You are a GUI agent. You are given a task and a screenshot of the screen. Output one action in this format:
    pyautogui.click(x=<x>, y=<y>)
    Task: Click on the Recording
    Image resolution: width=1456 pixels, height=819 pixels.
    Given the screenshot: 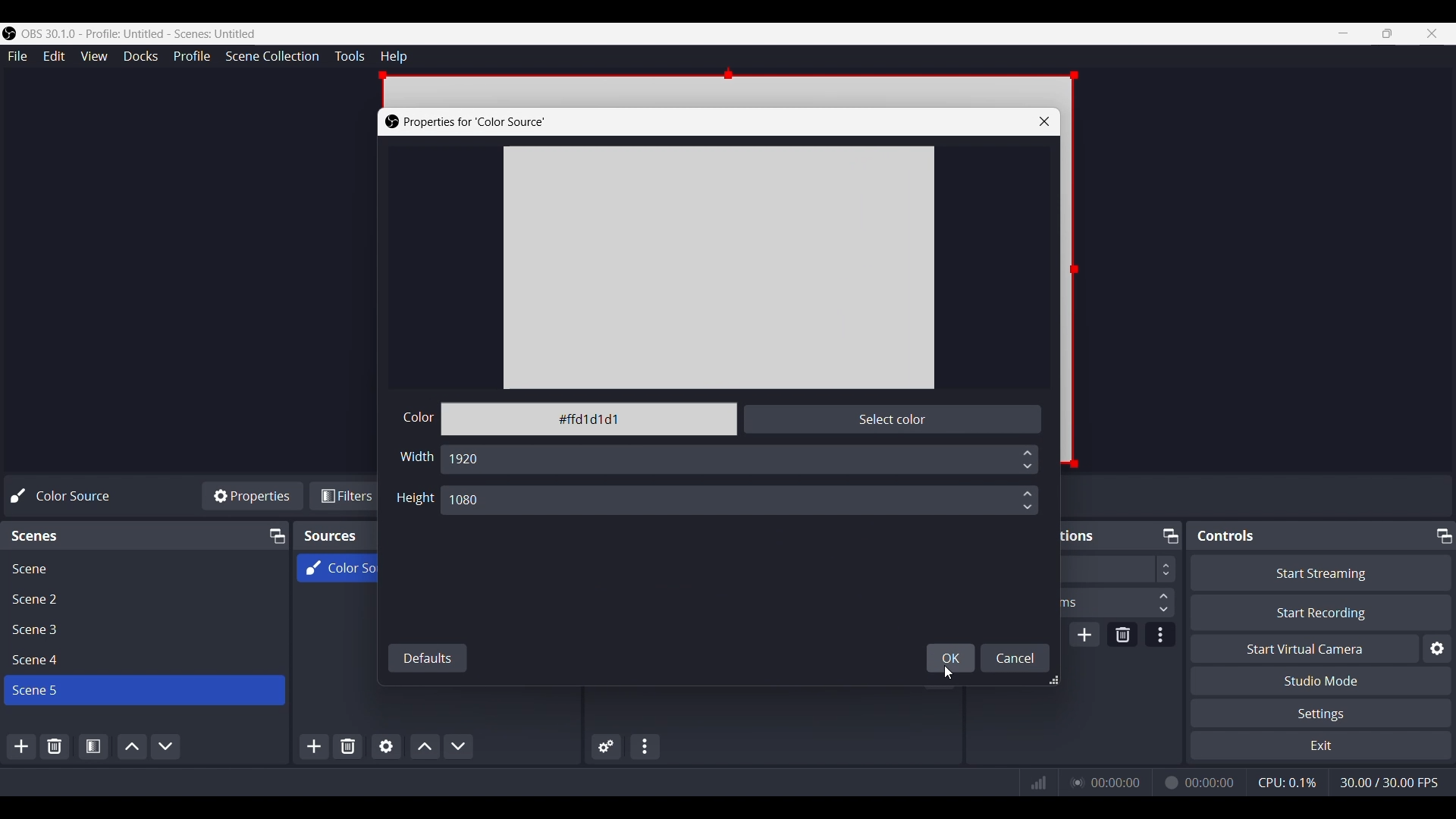 What is the action you would take?
    pyautogui.click(x=1169, y=782)
    